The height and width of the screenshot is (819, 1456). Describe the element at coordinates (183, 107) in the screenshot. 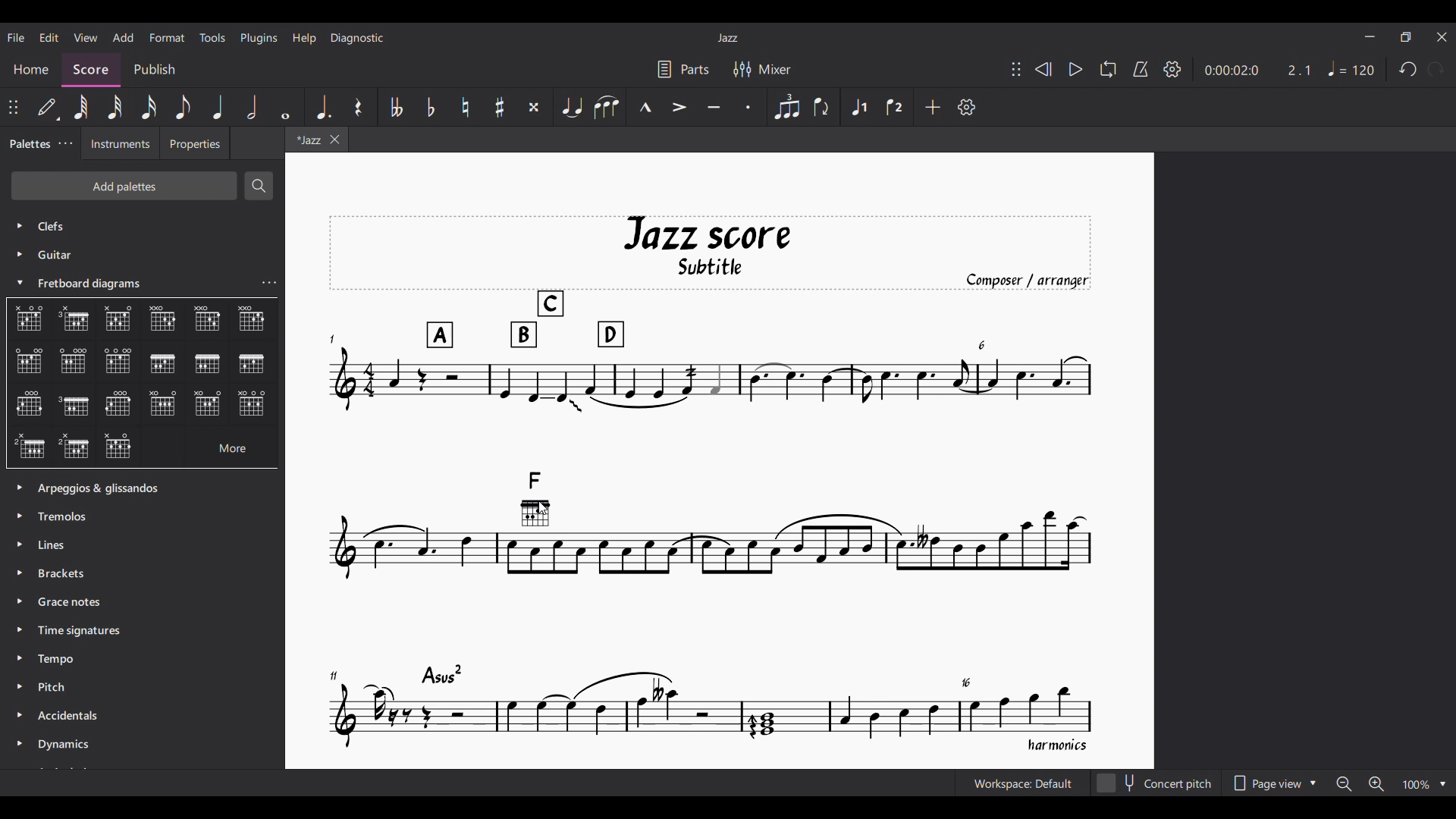

I see `8th note` at that location.